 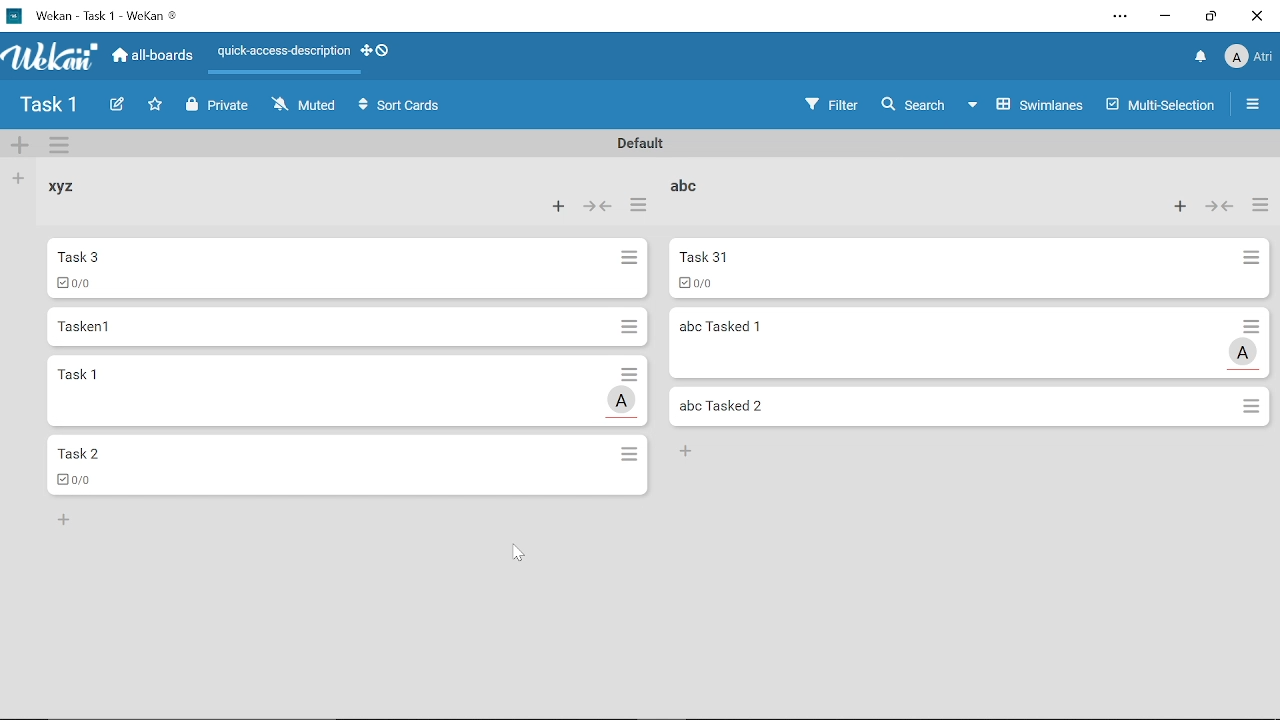 I want to click on Task 3, so click(x=348, y=266).